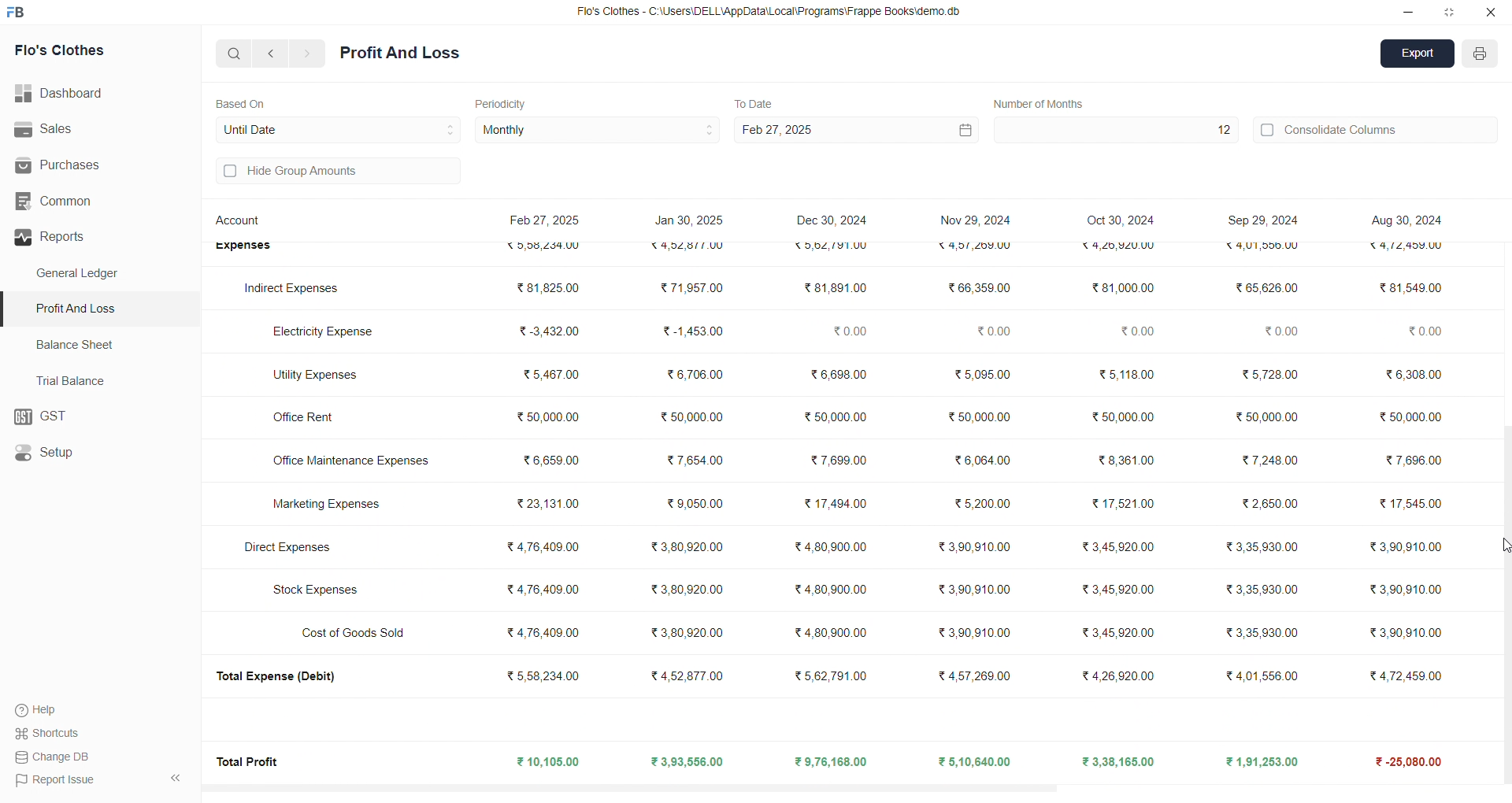 This screenshot has width=1512, height=803. Describe the element at coordinates (1114, 130) in the screenshot. I see `12` at that location.